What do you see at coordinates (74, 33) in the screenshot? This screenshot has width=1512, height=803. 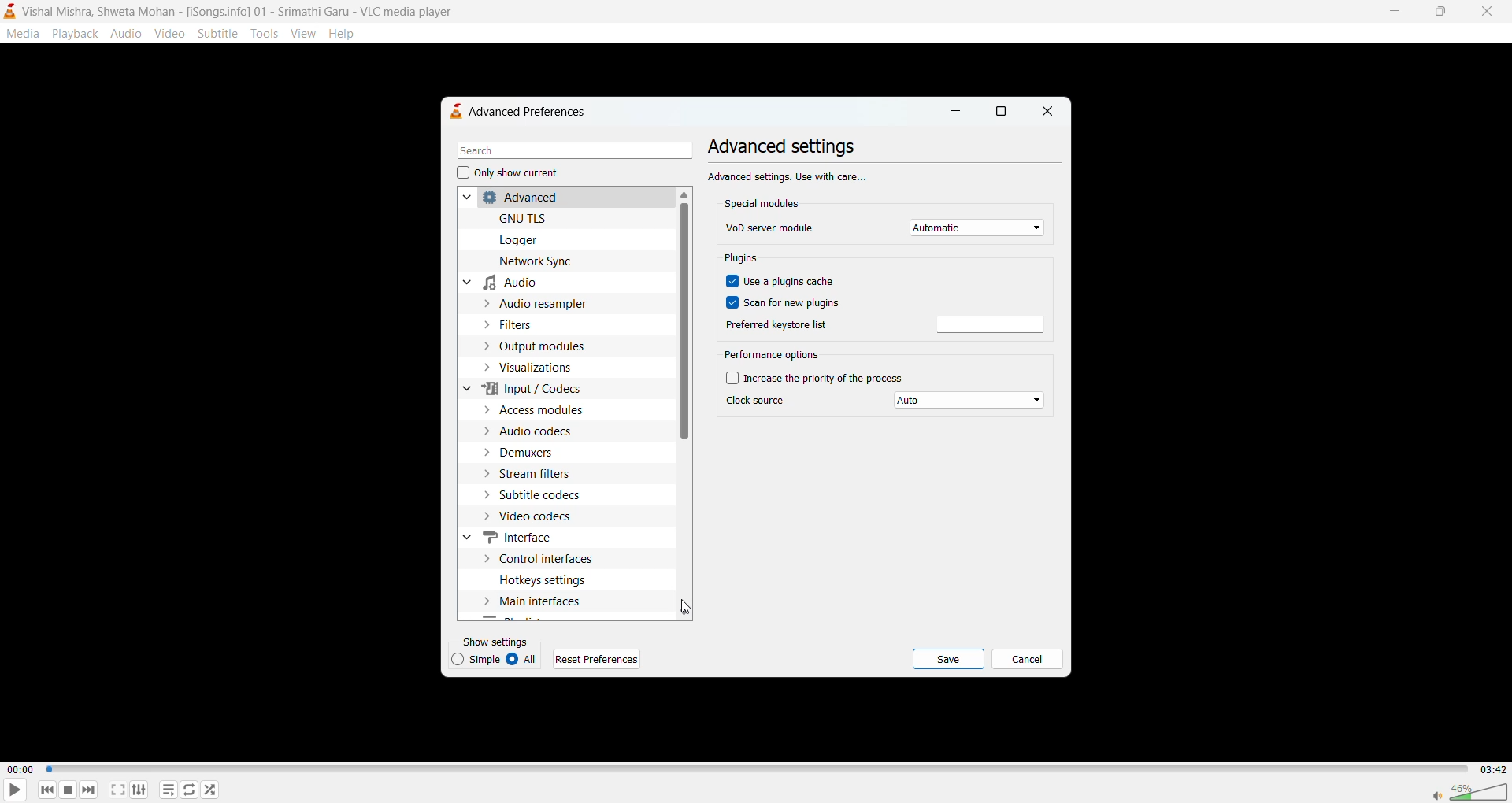 I see `playback` at bounding box center [74, 33].